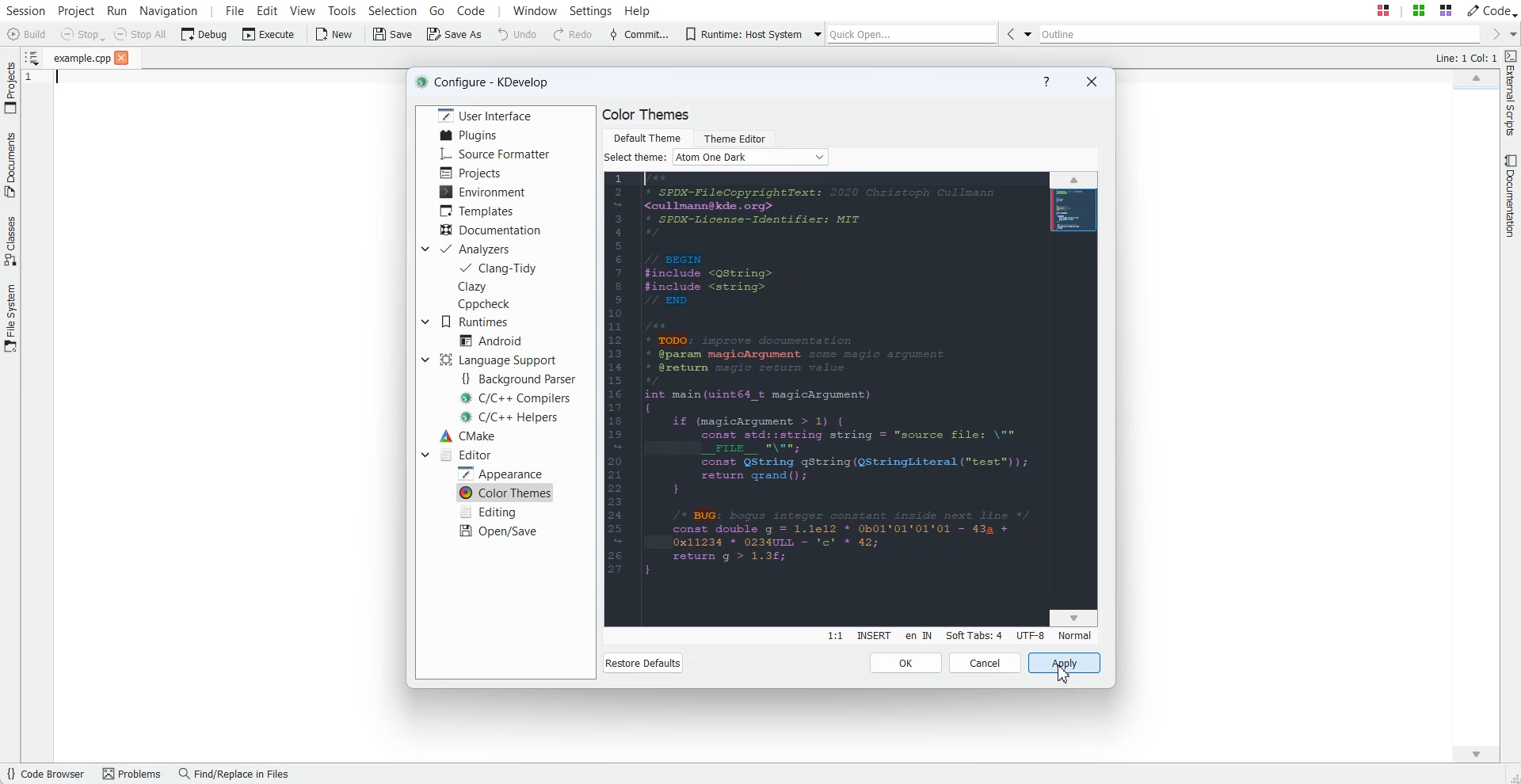 The image size is (1521, 784). I want to click on Problems, so click(134, 774).